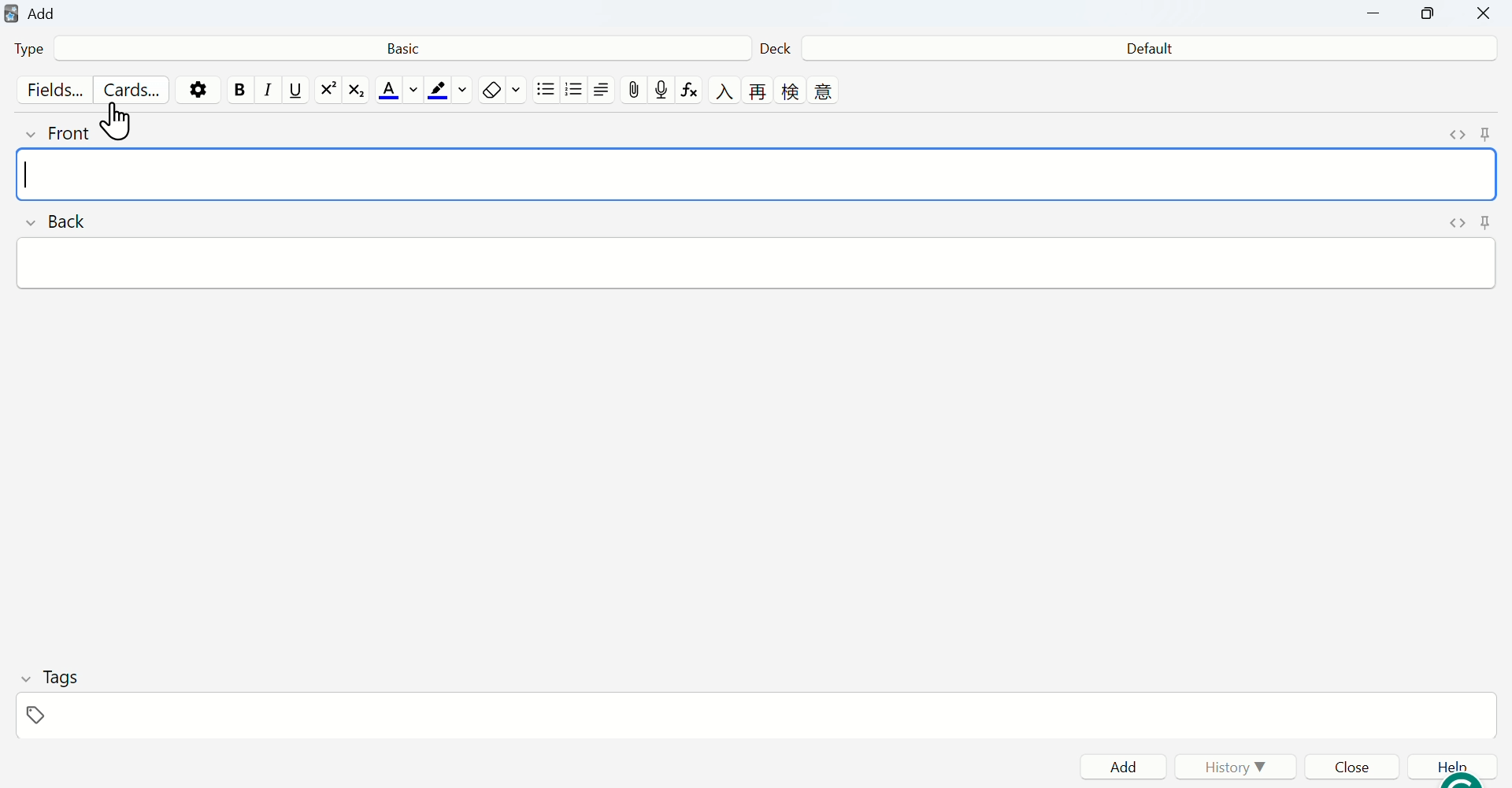 The image size is (1512, 788). Describe the element at coordinates (64, 221) in the screenshot. I see `back` at that location.